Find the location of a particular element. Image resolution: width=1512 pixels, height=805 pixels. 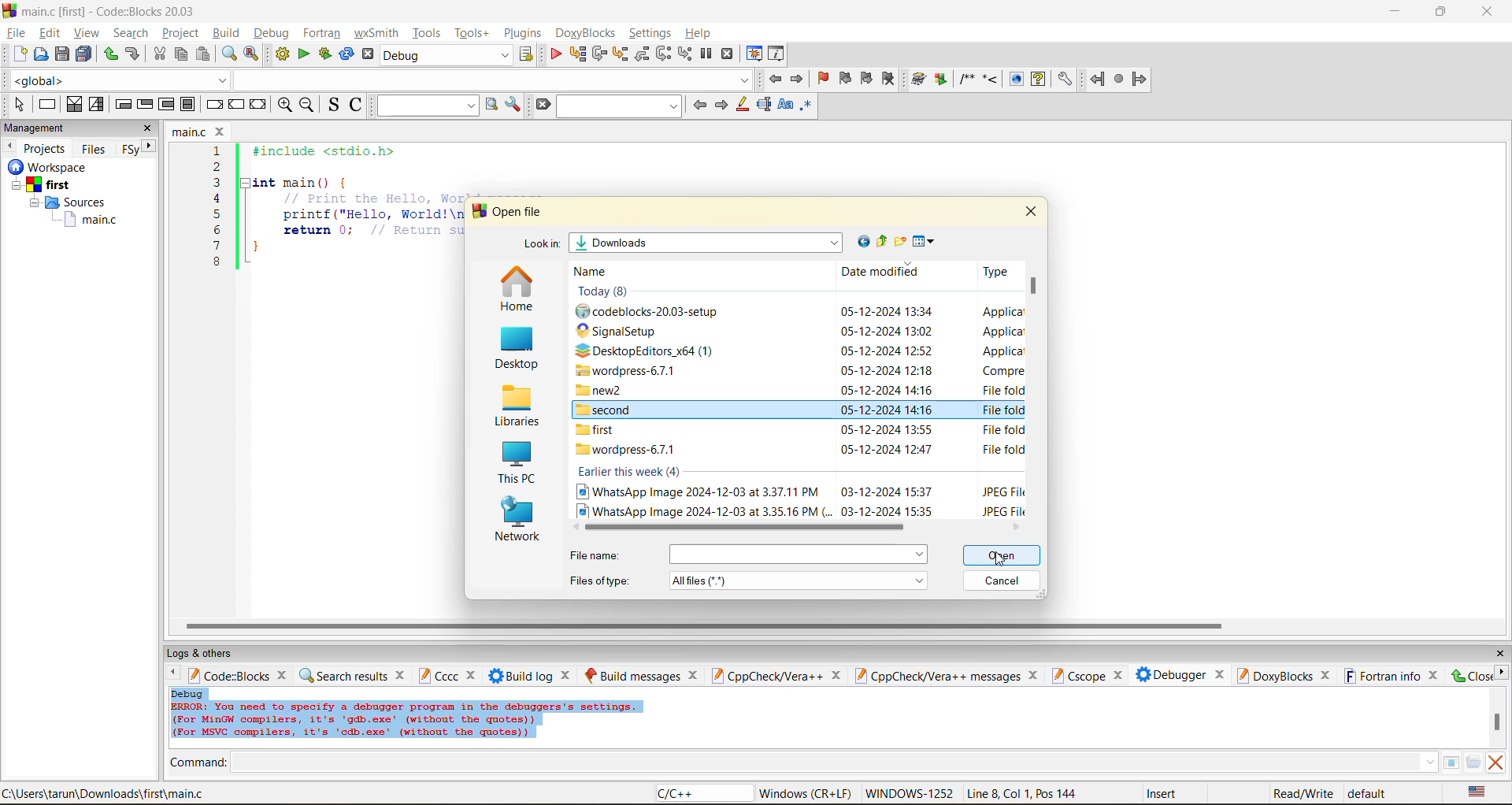

file name is located at coordinates (598, 555).